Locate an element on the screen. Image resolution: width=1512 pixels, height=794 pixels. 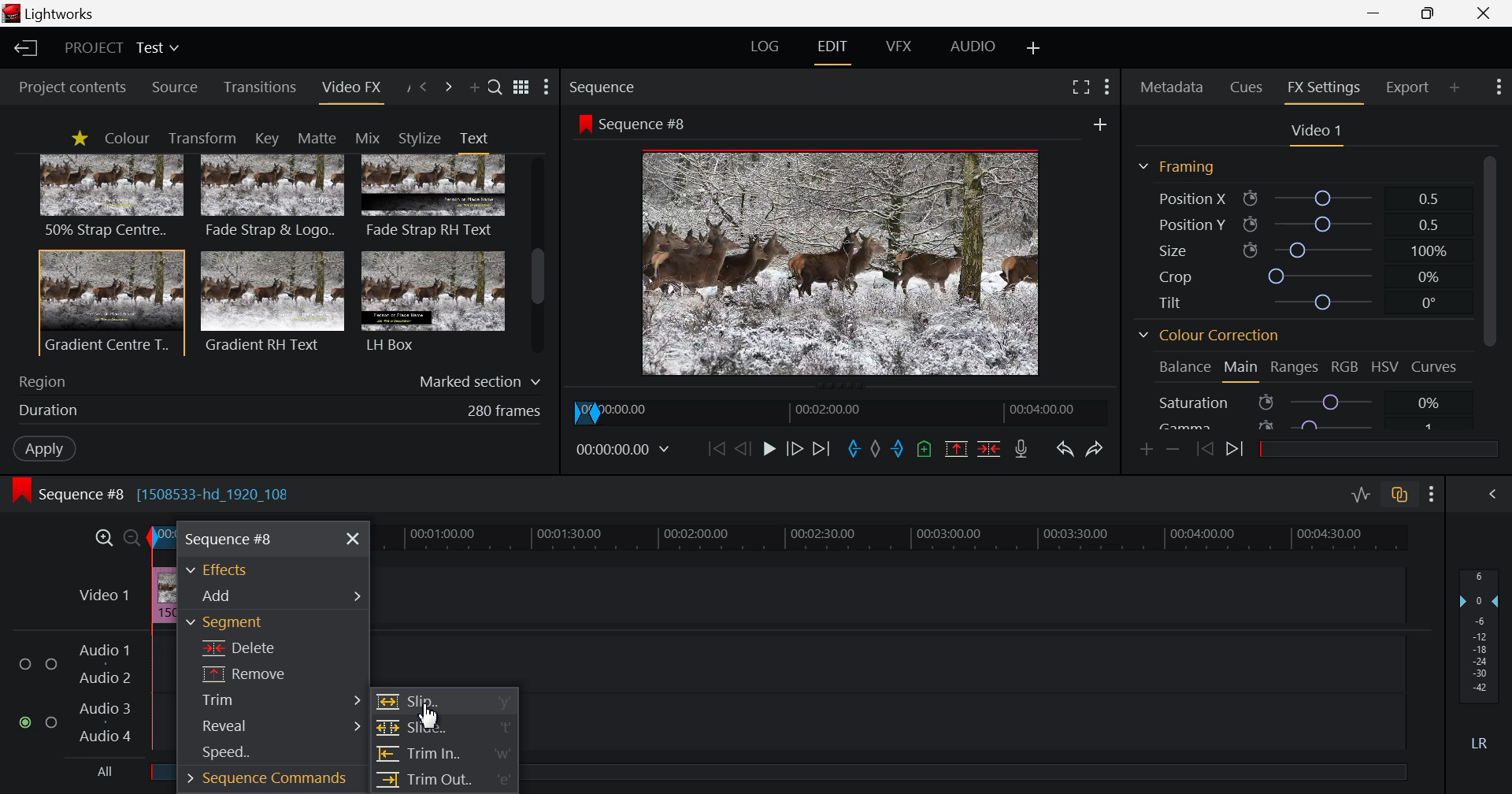
Redo is located at coordinates (1097, 447).